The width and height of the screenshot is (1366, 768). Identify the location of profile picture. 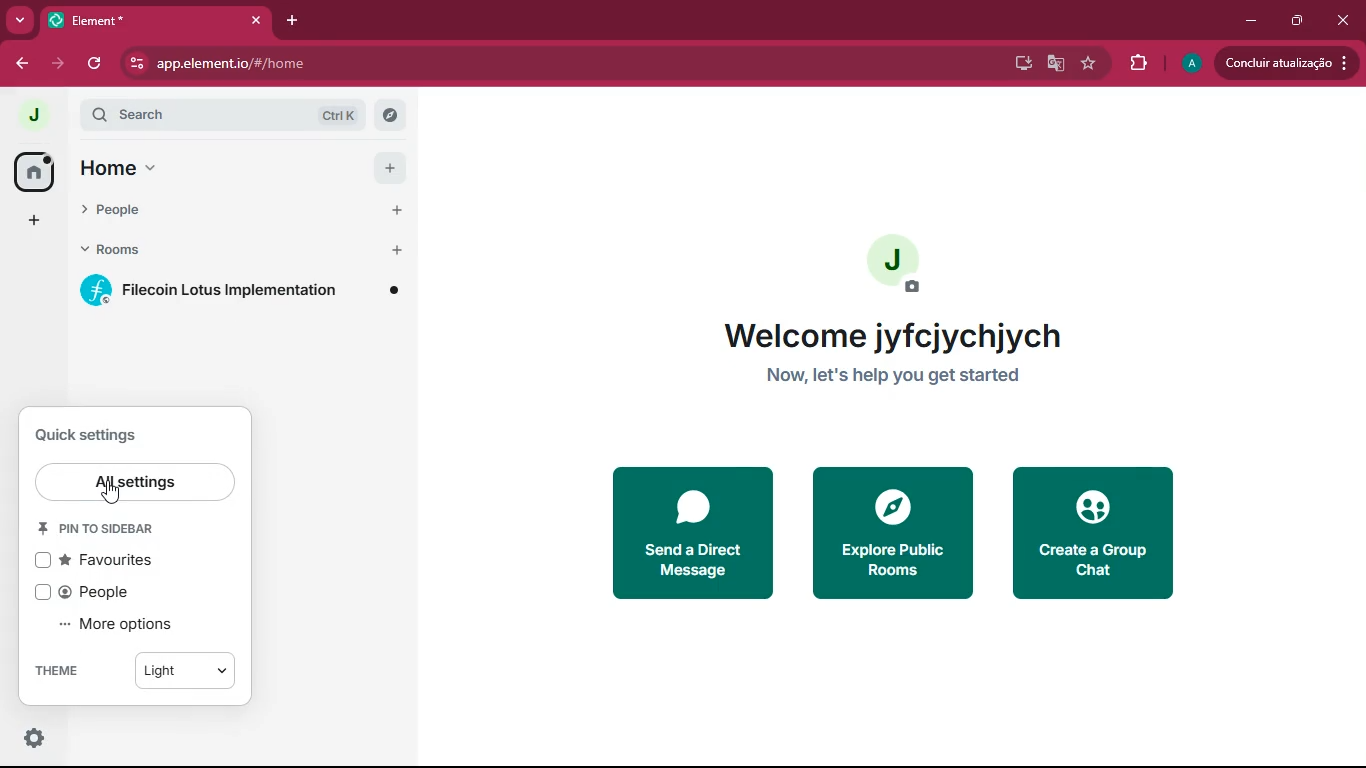
(900, 264).